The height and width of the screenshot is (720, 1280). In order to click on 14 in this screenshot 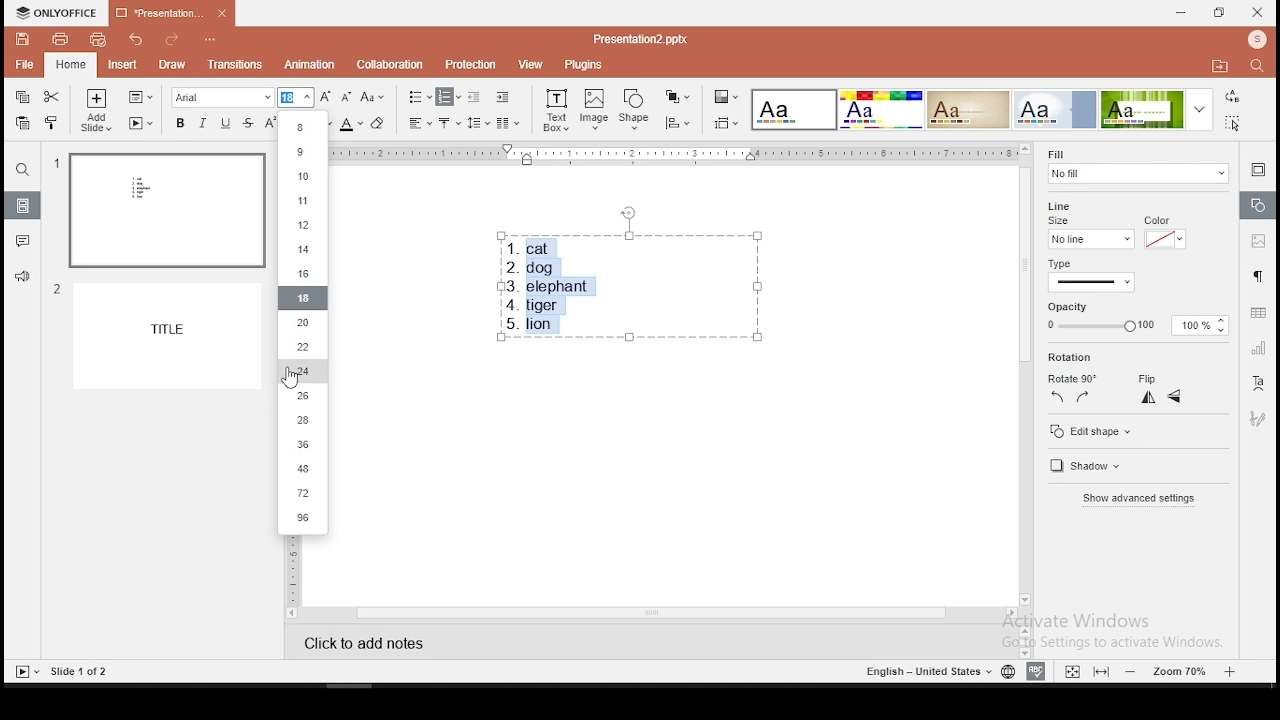, I will do `click(304, 249)`.